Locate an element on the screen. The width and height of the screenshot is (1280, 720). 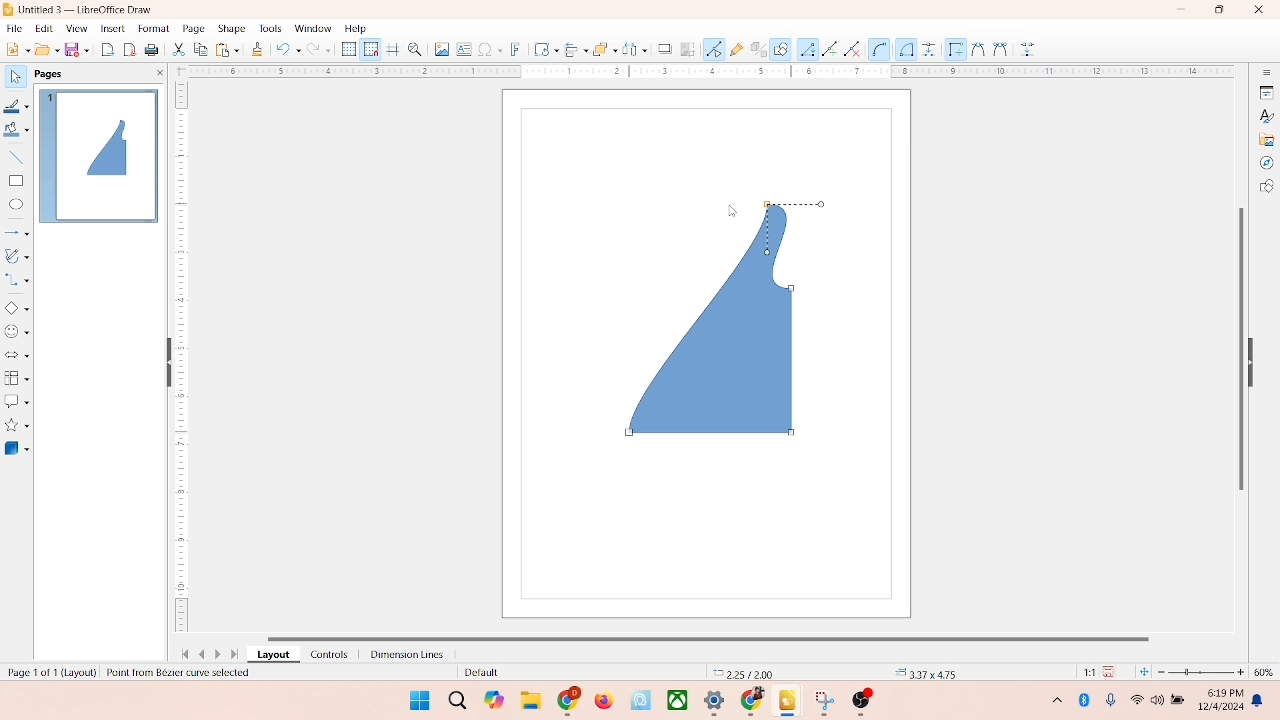
Freeform line tool is located at coordinates (830, 49).